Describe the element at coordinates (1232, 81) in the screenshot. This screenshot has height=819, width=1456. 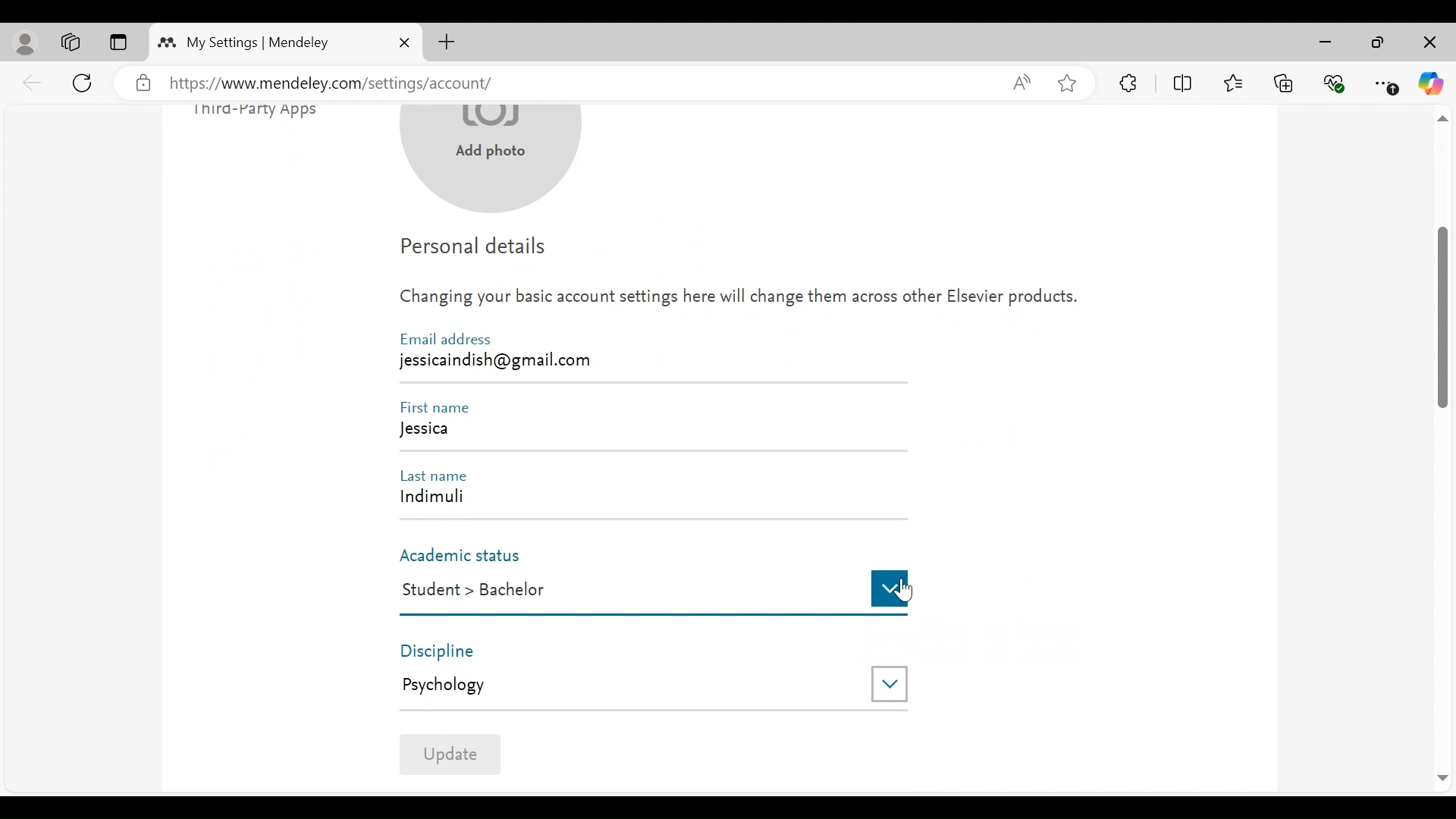
I see `Favorites` at that location.